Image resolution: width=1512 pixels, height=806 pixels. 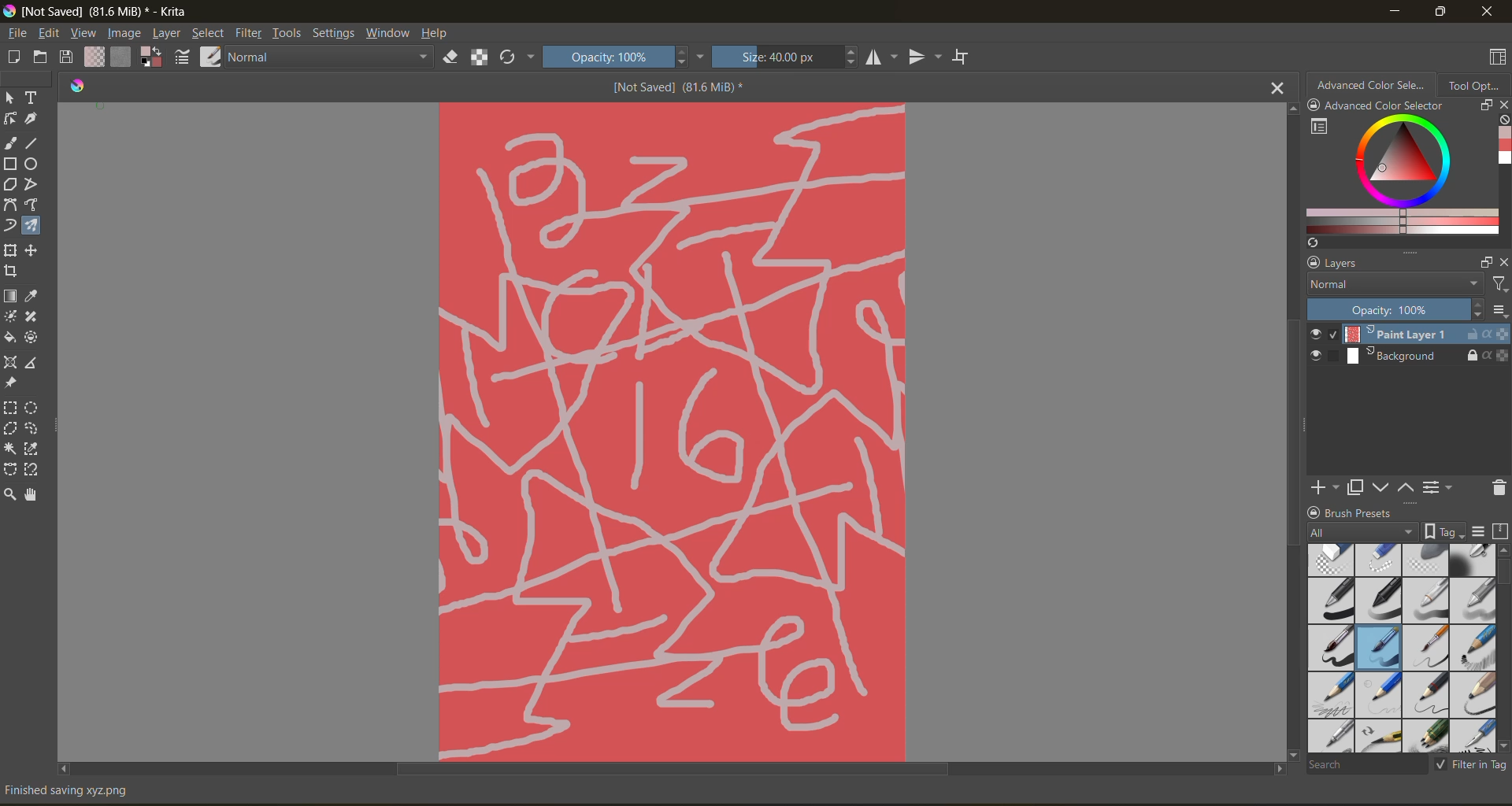 I want to click on tool, so click(x=31, y=338).